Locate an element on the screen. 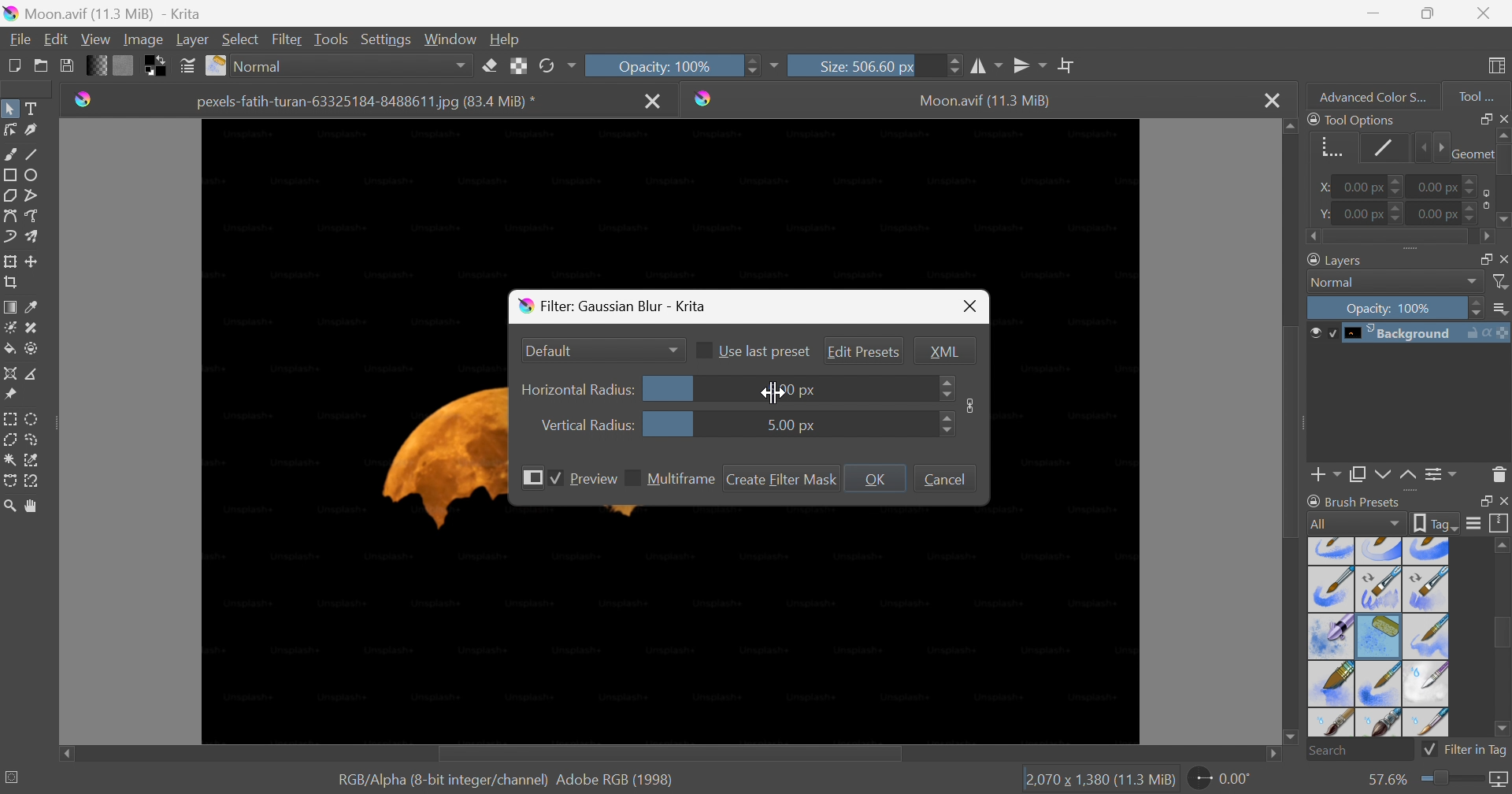  Geometry is located at coordinates (1331, 150).